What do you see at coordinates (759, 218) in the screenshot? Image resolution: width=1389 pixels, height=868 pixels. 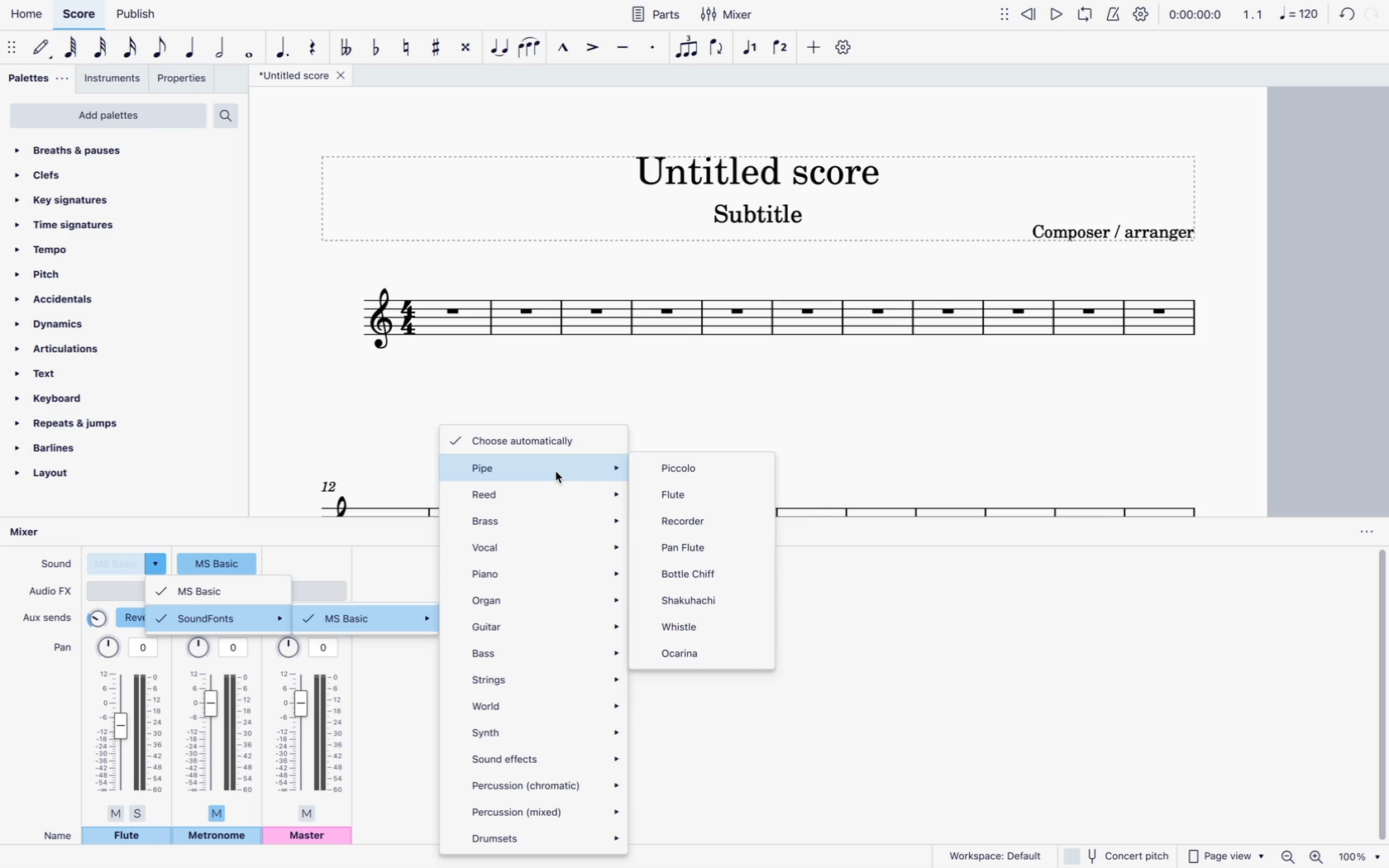 I see `score subtitle` at bounding box center [759, 218].